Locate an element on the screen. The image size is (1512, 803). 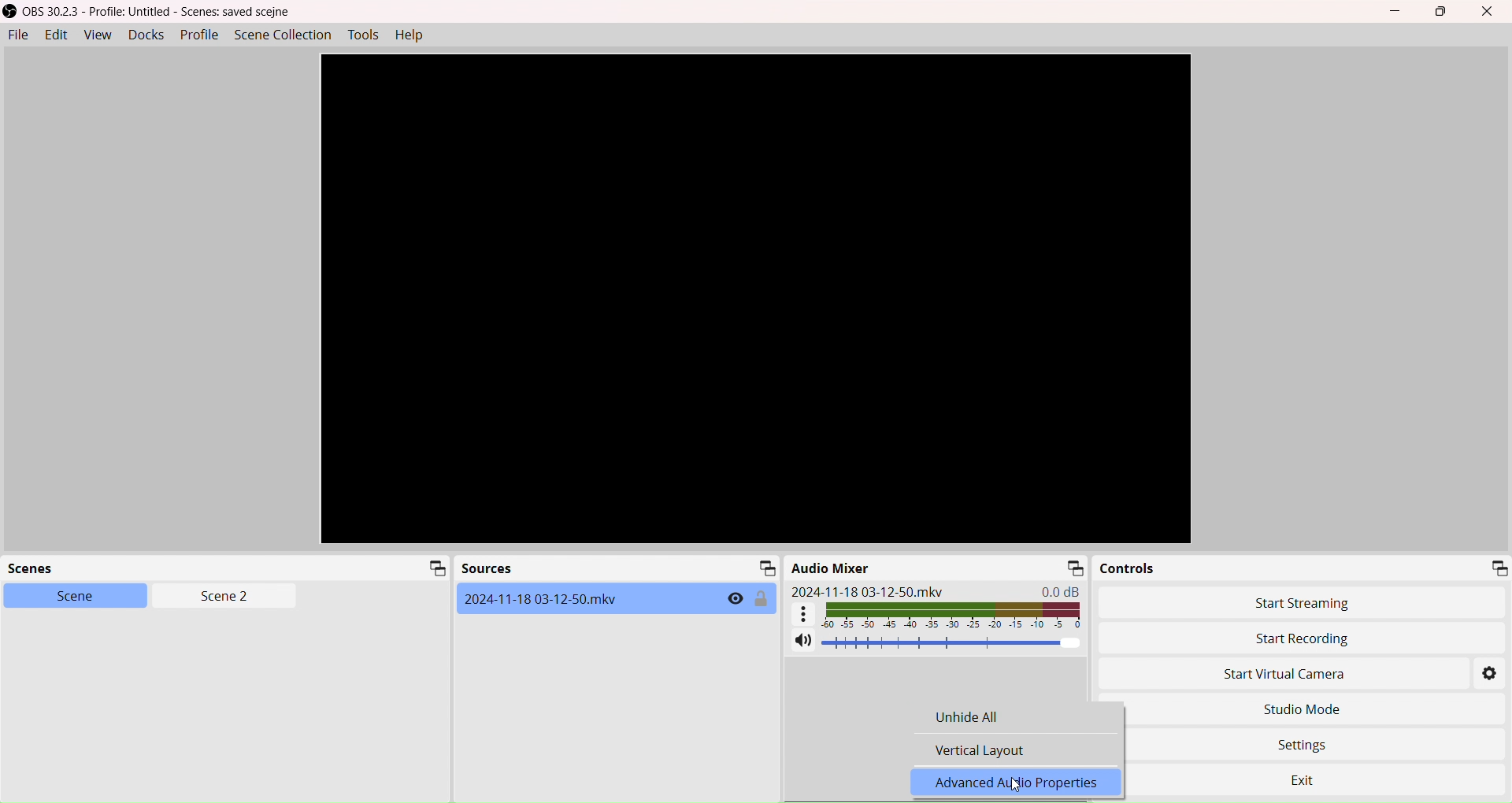
Start Streaming is located at coordinates (1306, 603).